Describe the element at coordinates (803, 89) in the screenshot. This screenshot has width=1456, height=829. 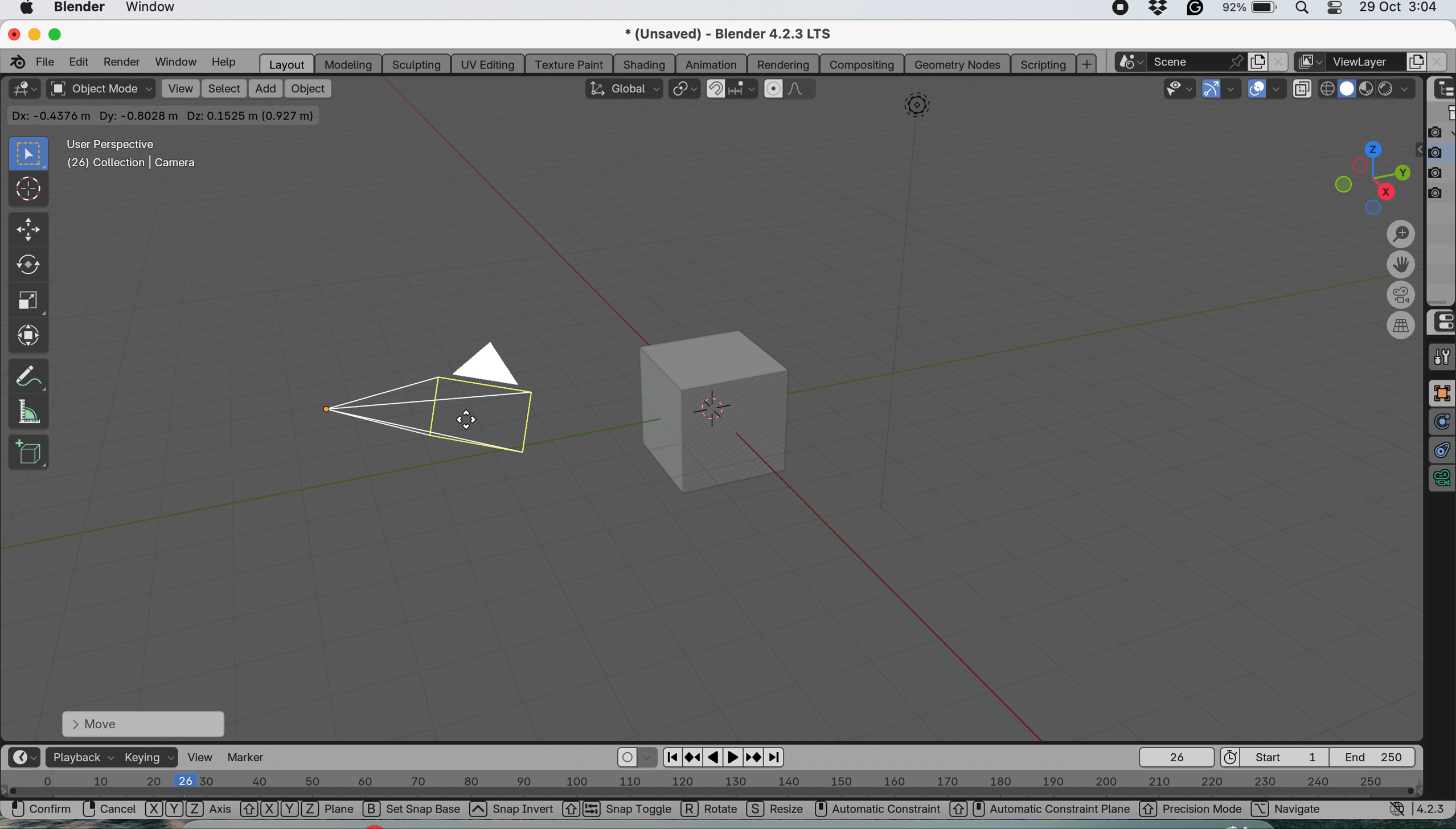
I see `proportional editing fallout` at that location.